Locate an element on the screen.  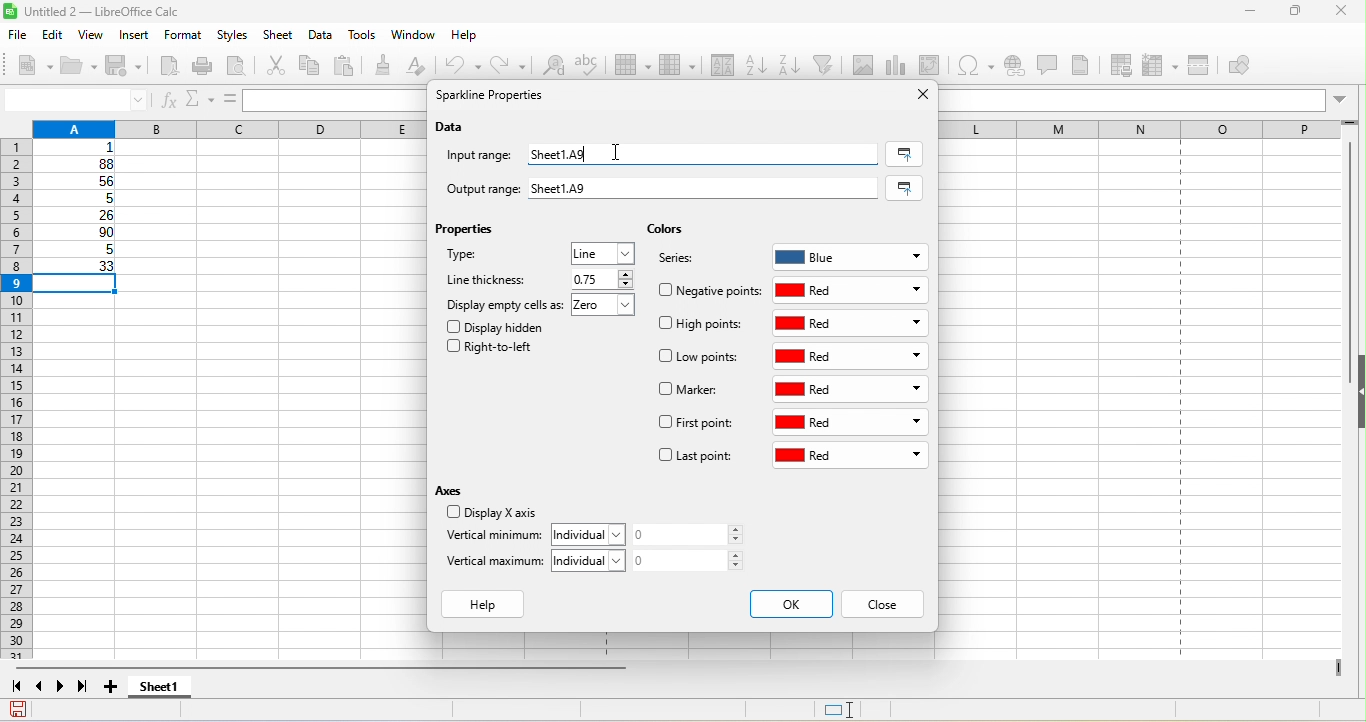
window is located at coordinates (413, 37).